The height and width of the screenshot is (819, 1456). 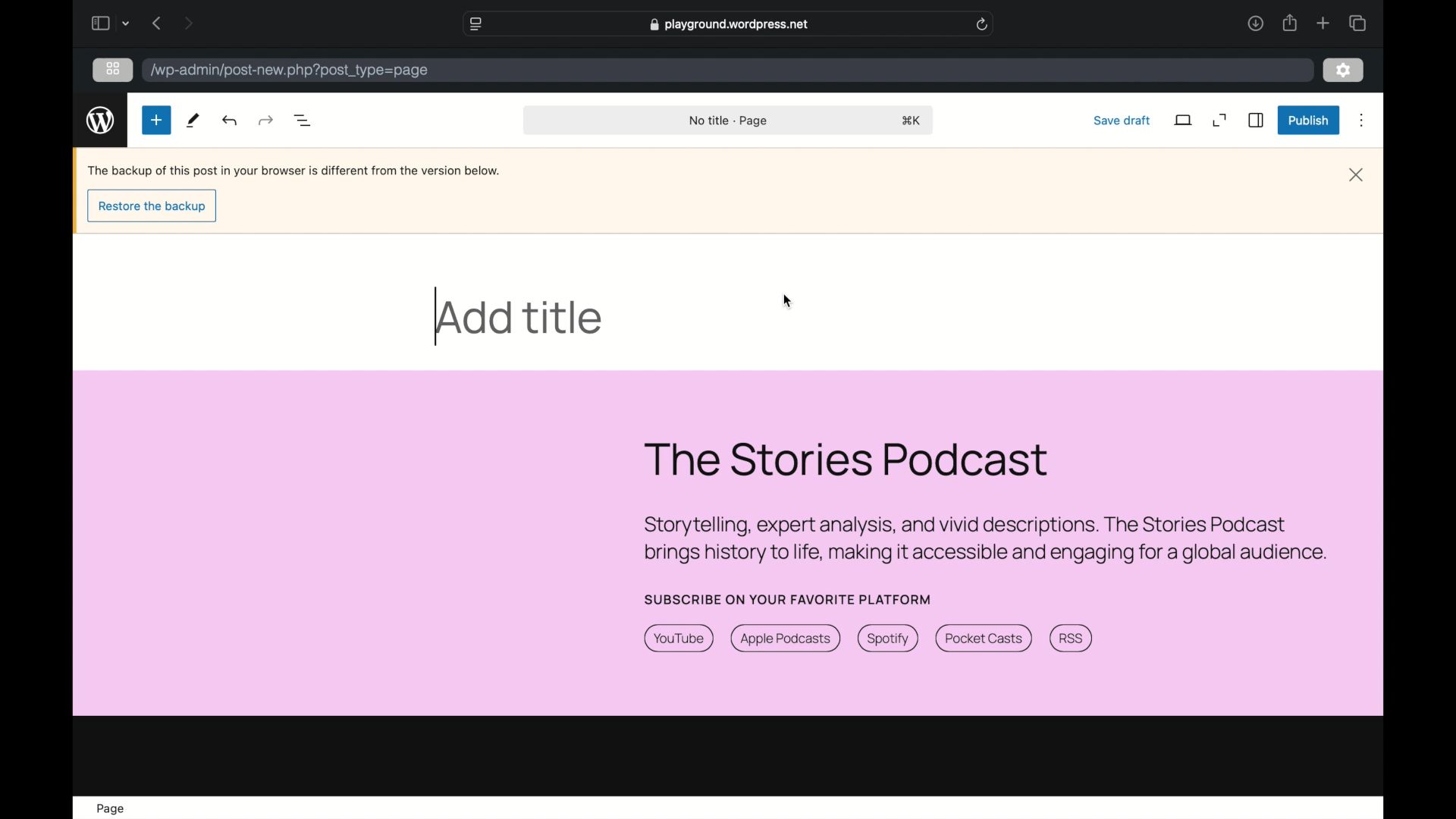 What do you see at coordinates (99, 23) in the screenshot?
I see `show sidebar` at bounding box center [99, 23].